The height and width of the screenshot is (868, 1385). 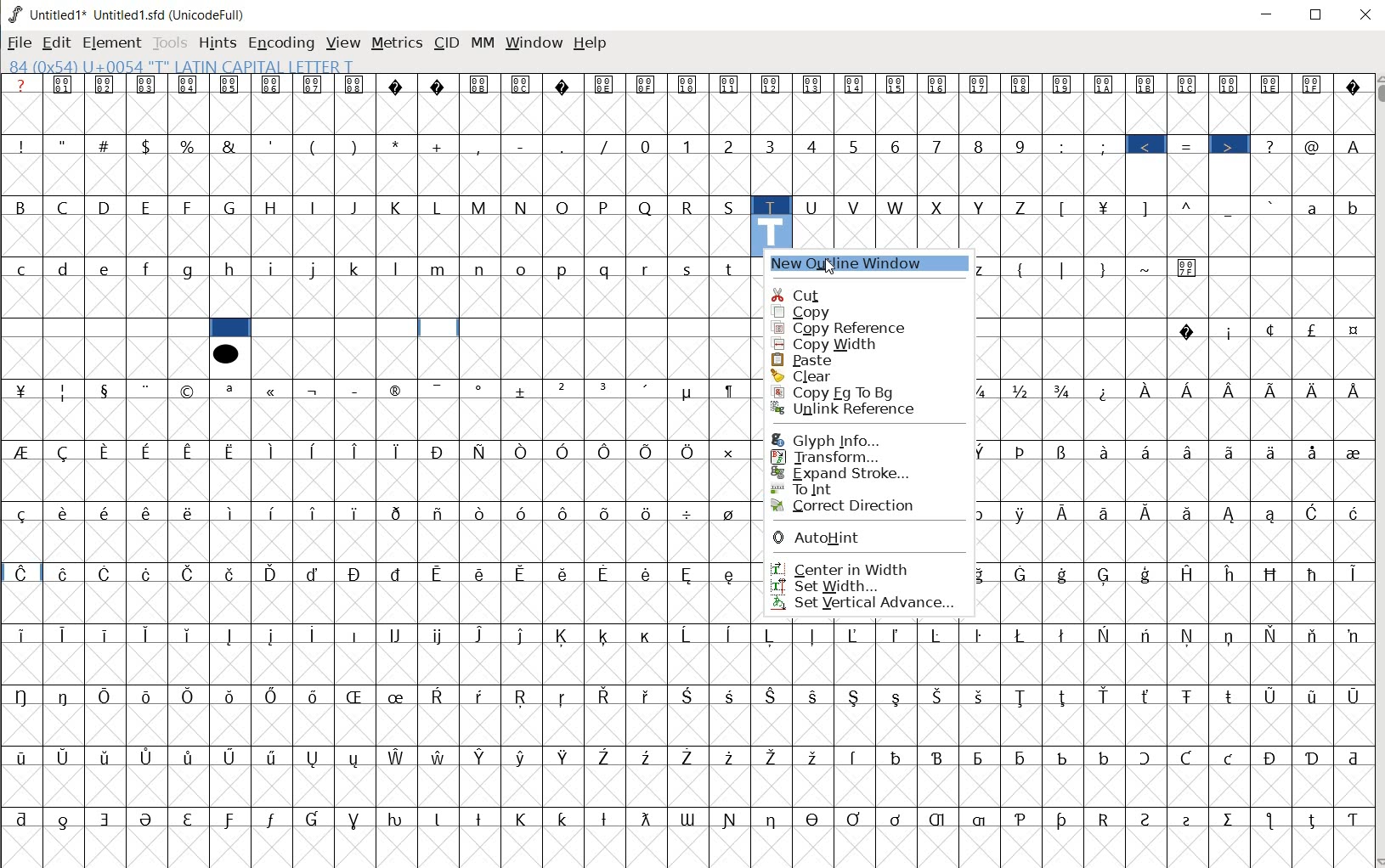 What do you see at coordinates (1272, 820) in the screenshot?
I see `Symbol` at bounding box center [1272, 820].